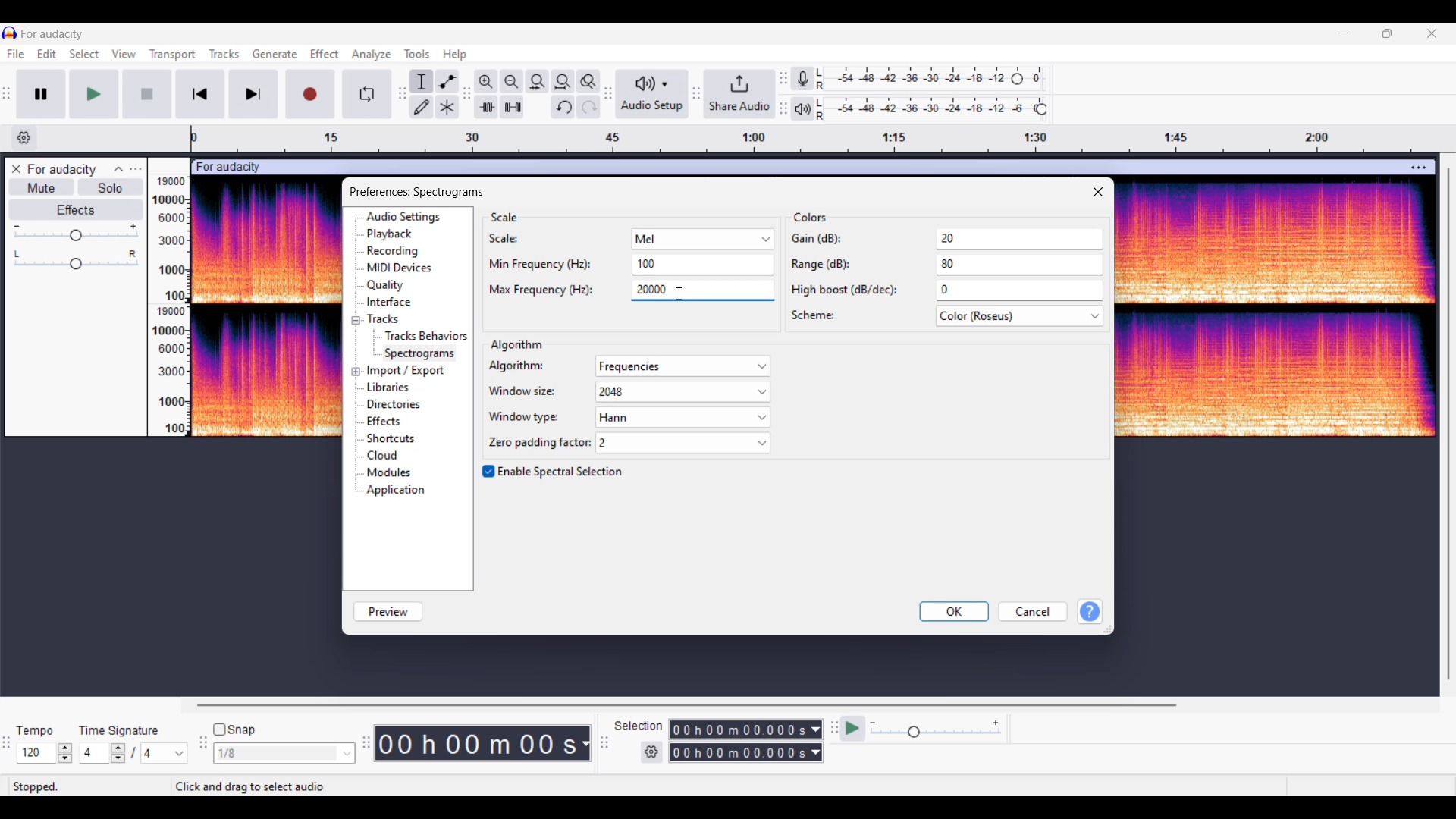 This screenshot has width=1456, height=819. Describe the element at coordinates (399, 406) in the screenshot. I see `directories` at that location.